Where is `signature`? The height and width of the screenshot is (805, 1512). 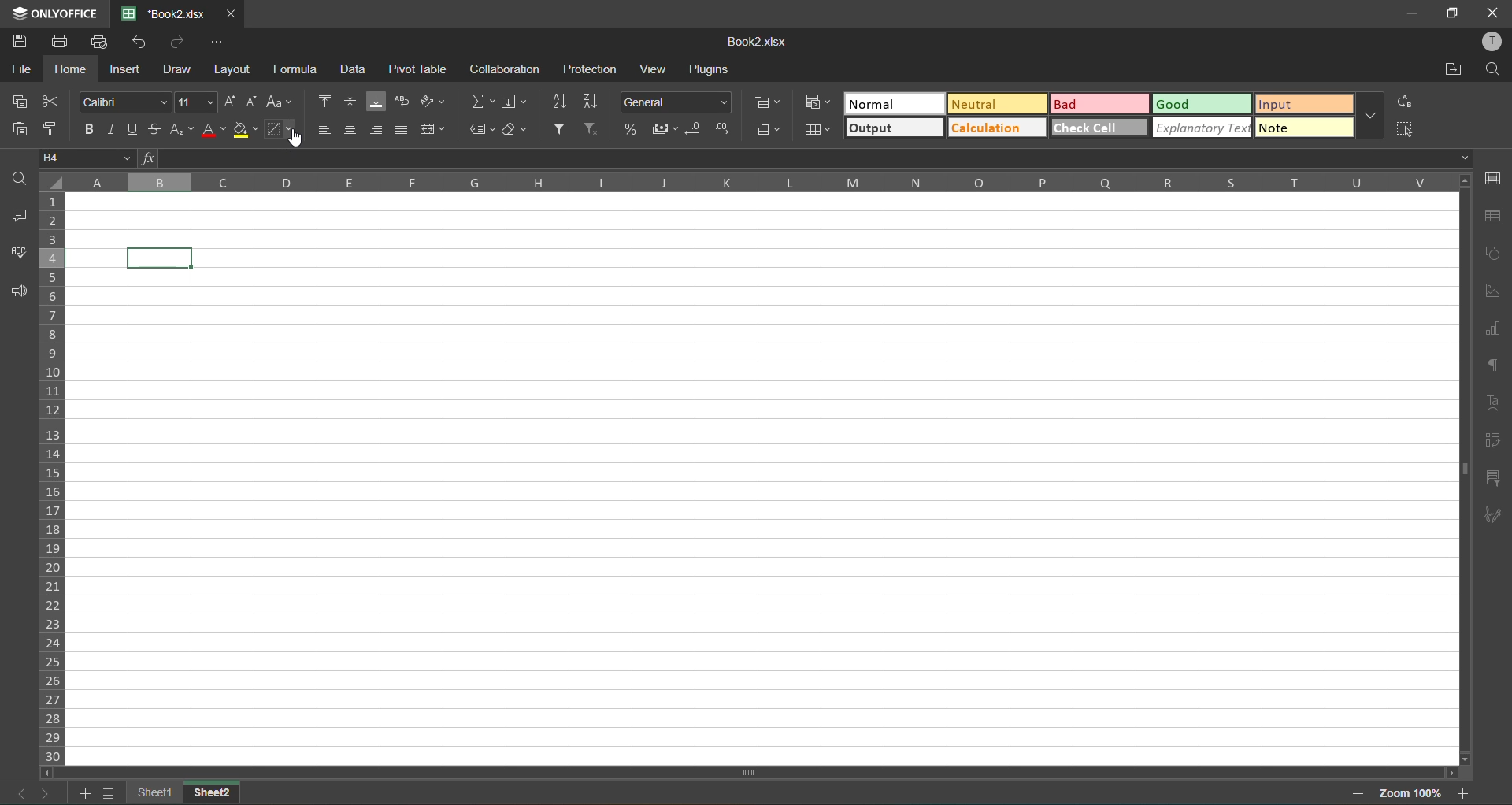 signature is located at coordinates (1493, 517).